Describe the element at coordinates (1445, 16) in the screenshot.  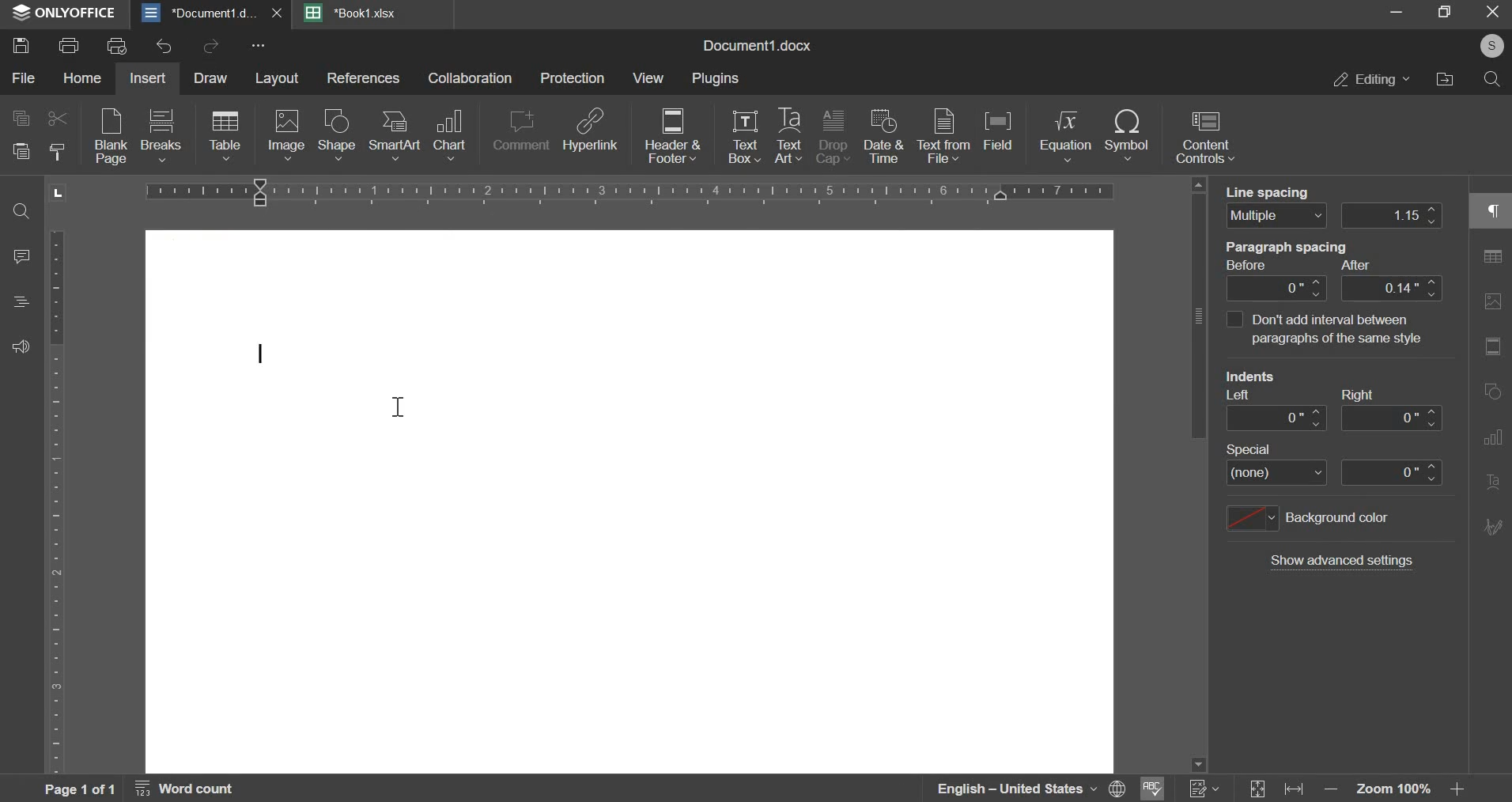
I see `maximize` at that location.